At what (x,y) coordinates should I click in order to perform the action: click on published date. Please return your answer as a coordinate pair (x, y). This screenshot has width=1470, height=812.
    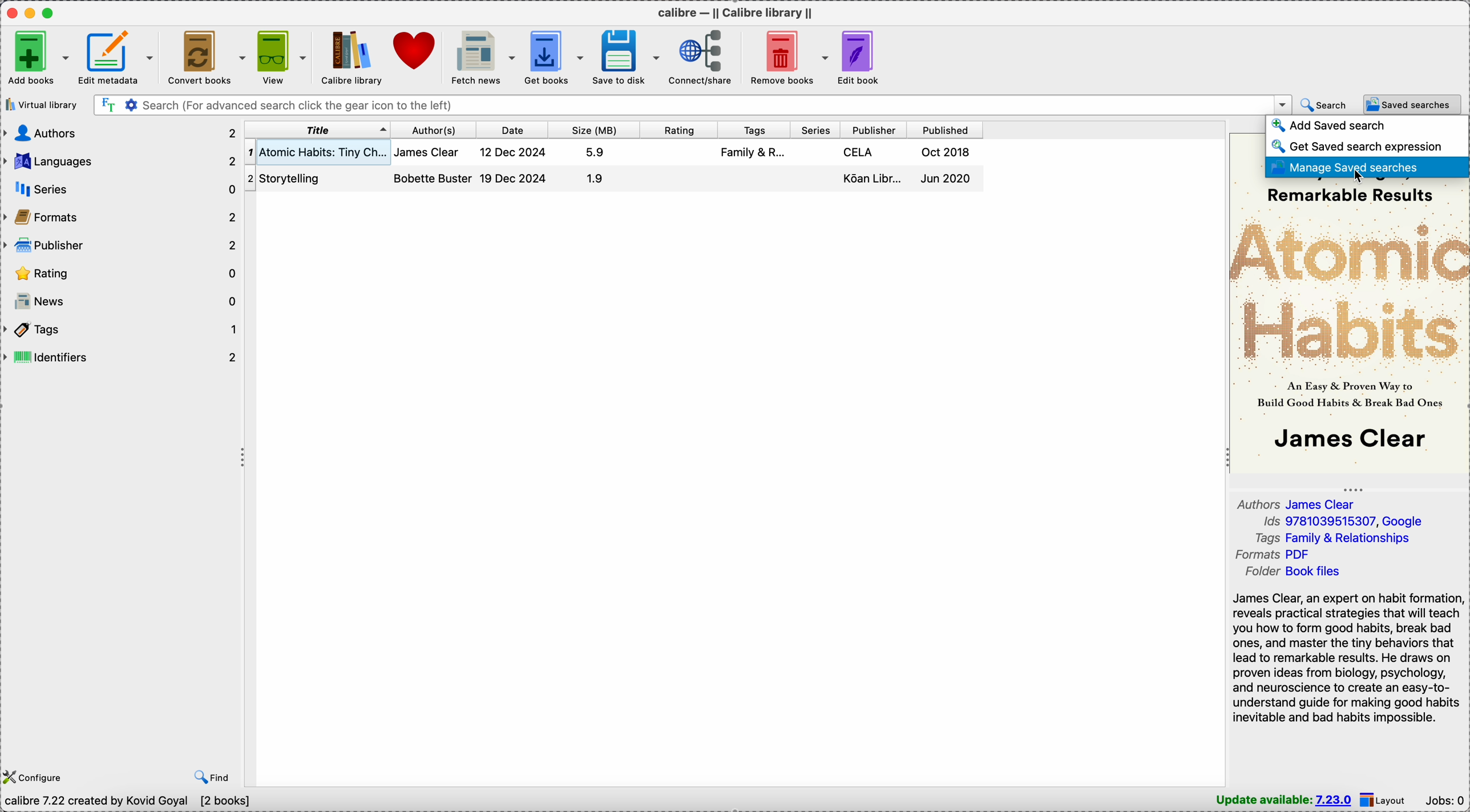
    Looking at the image, I should click on (950, 168).